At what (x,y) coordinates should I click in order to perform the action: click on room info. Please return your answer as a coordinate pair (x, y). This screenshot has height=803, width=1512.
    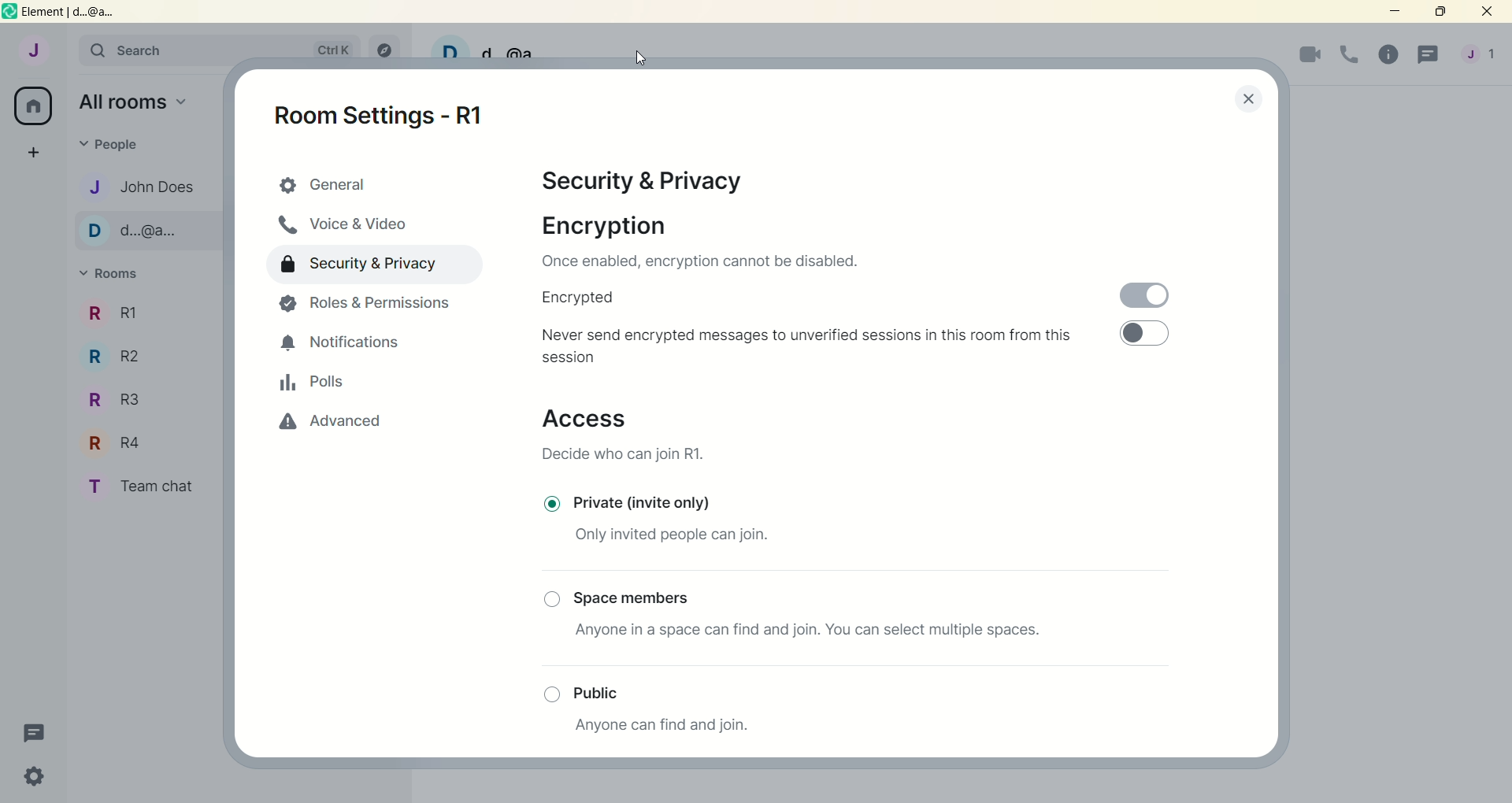
    Looking at the image, I should click on (1385, 54).